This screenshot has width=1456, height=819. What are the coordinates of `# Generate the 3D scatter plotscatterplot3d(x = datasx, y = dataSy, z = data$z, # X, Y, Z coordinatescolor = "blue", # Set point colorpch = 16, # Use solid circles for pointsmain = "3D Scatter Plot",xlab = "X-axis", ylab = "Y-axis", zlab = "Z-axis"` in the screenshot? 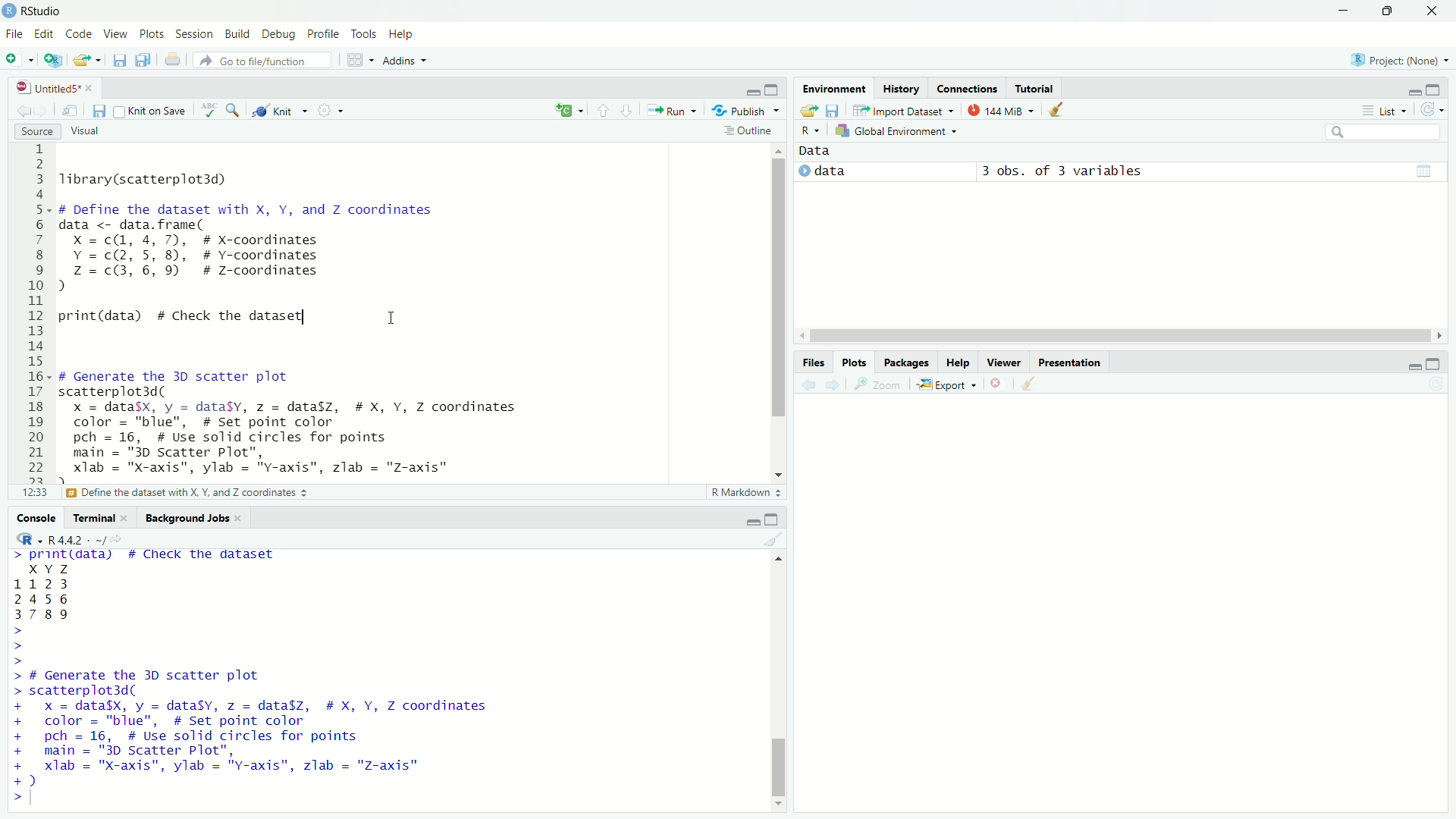 It's located at (309, 424).